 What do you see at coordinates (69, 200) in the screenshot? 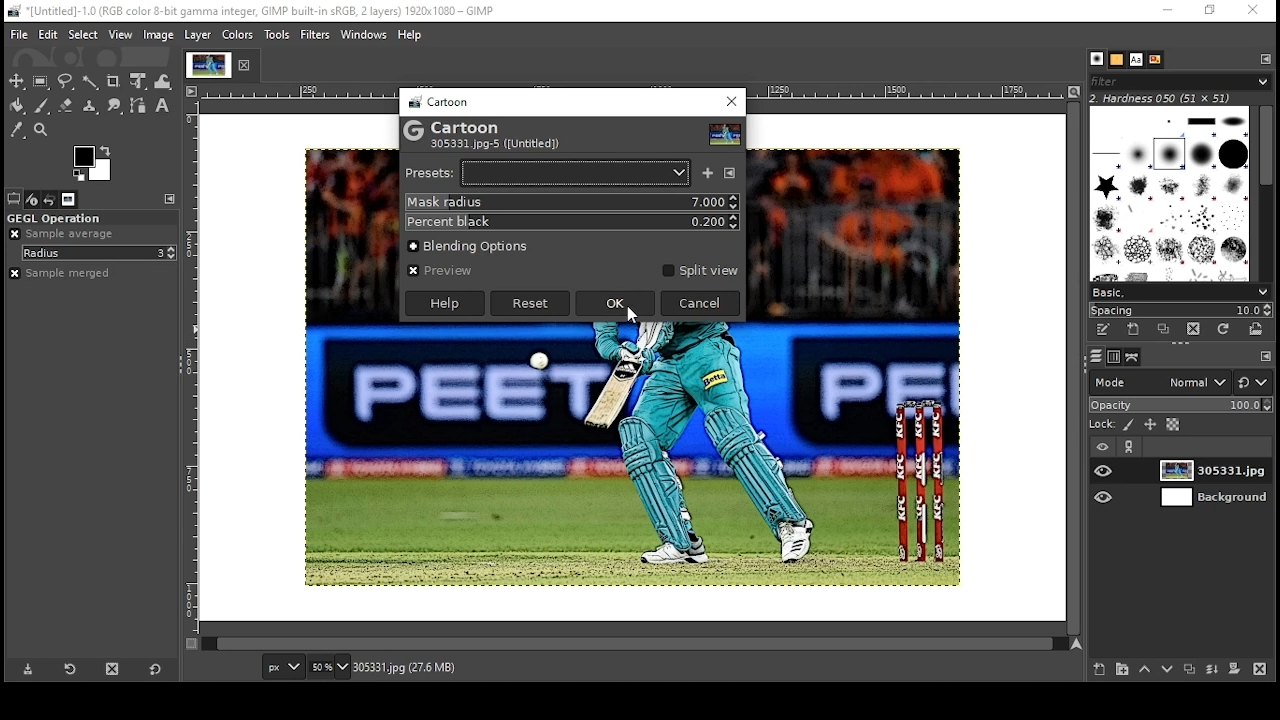
I see `images` at bounding box center [69, 200].